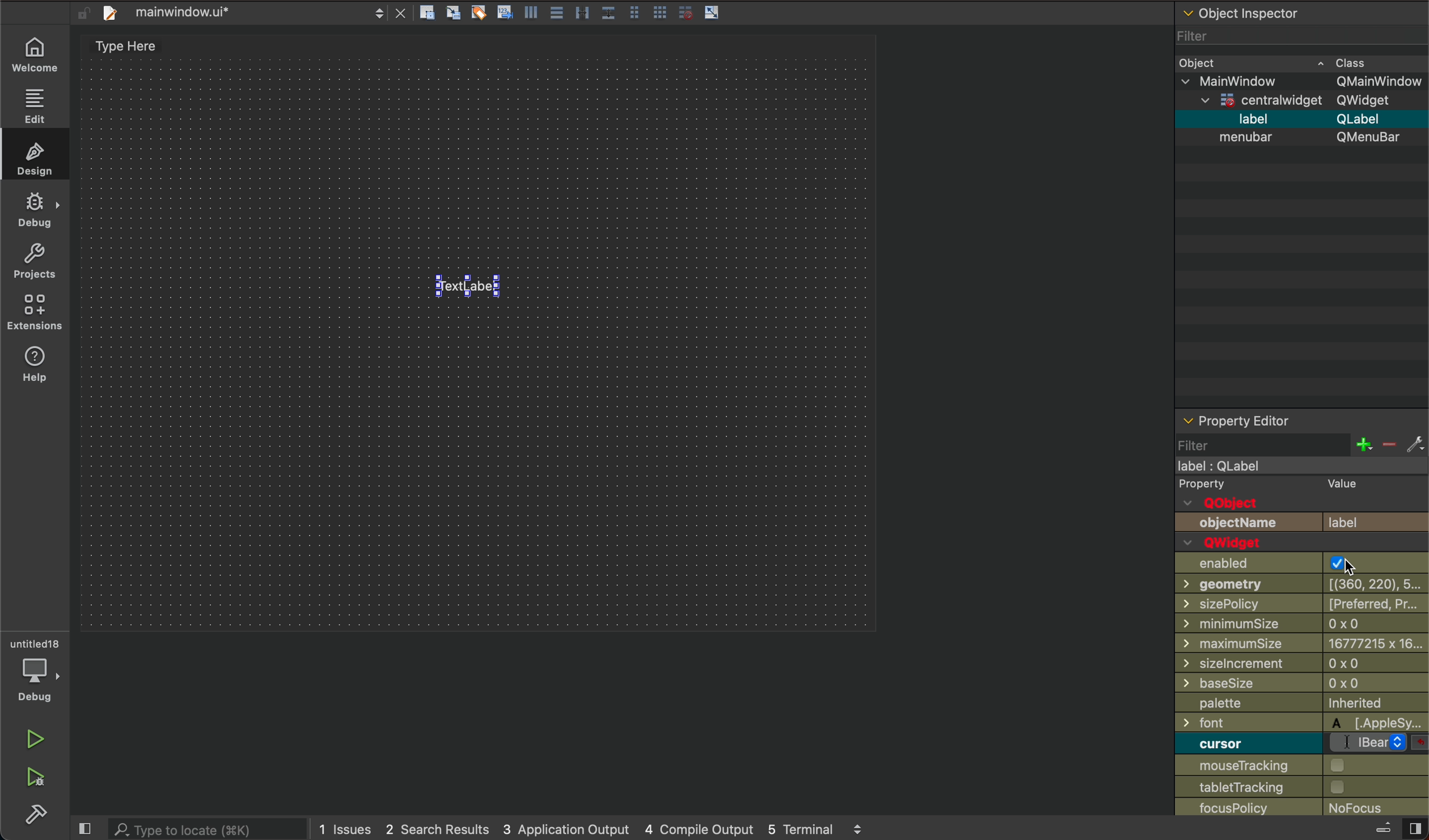  What do you see at coordinates (1220, 467) in the screenshot?
I see `label : Qlabel` at bounding box center [1220, 467].